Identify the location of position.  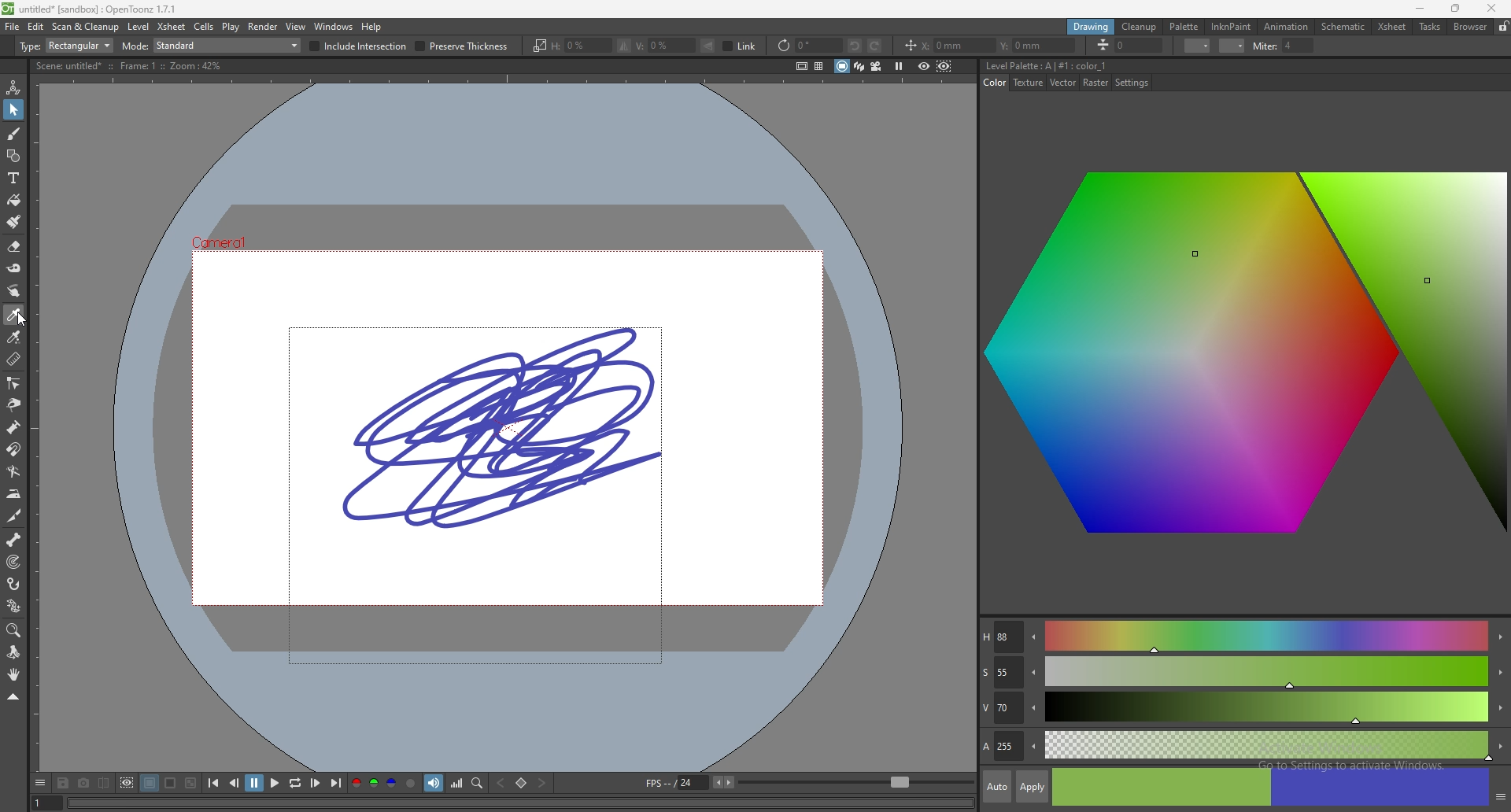
(911, 46).